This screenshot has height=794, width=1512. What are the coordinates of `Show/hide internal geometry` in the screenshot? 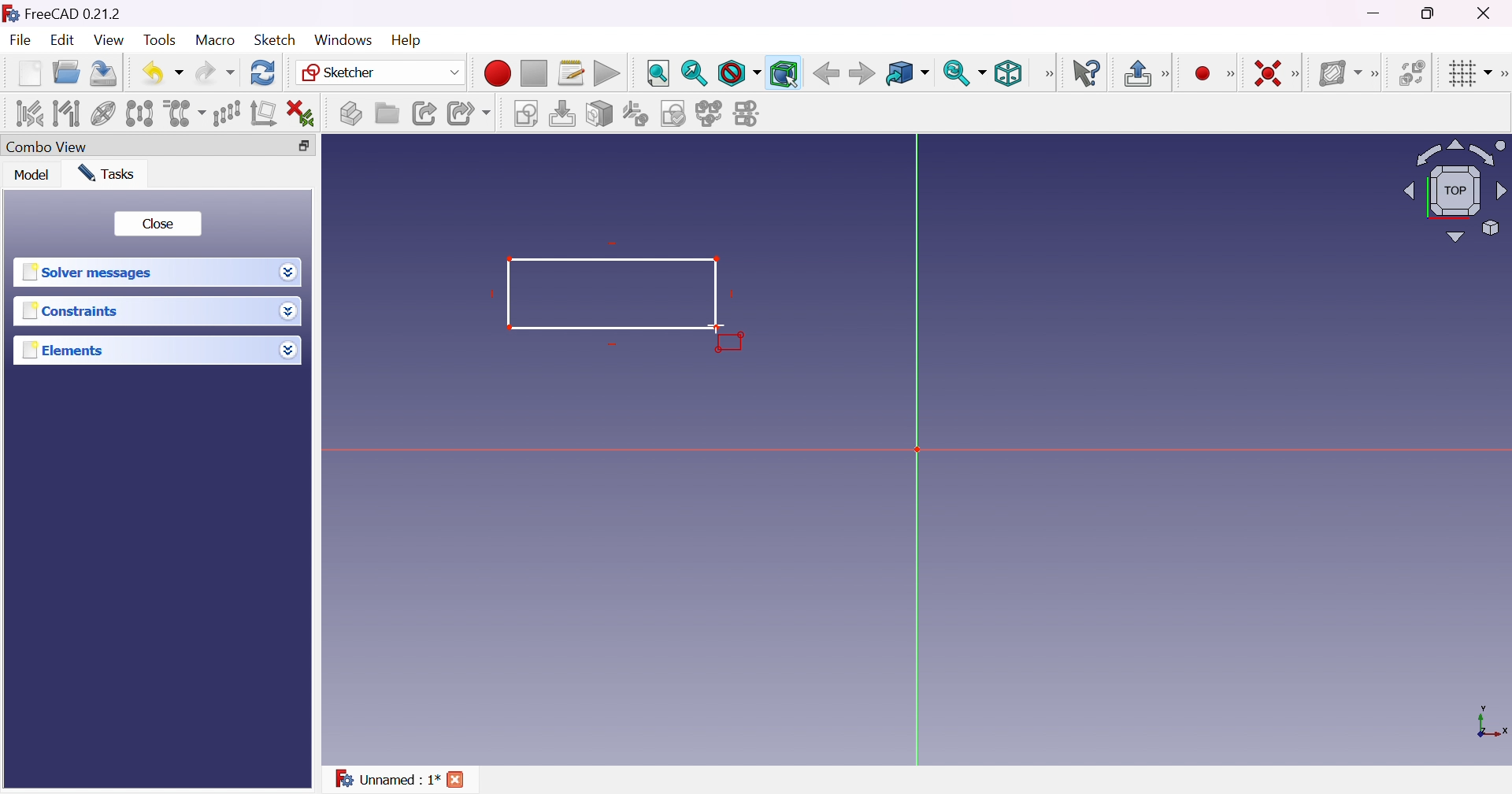 It's located at (103, 113).